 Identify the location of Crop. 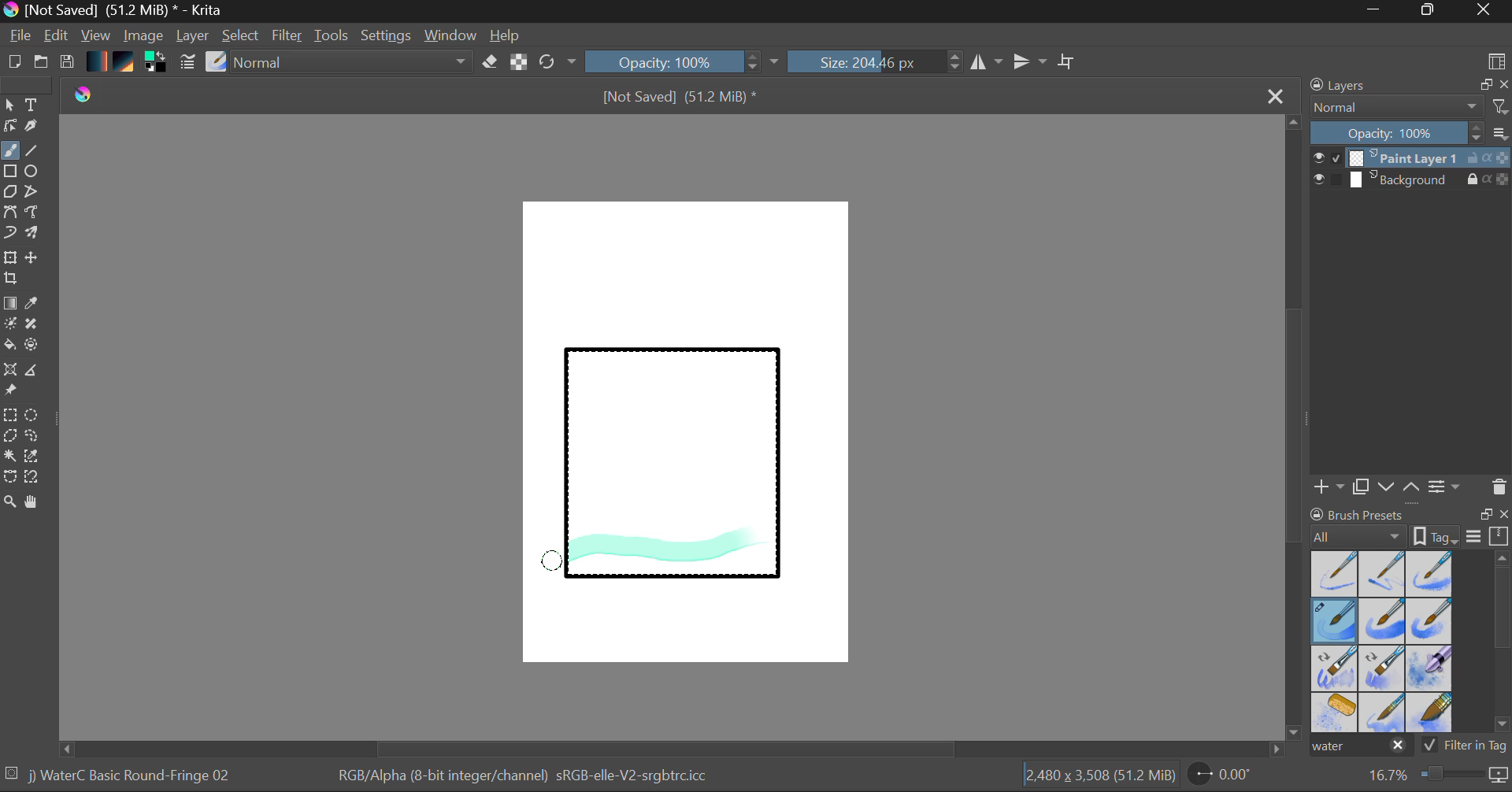
(1069, 61).